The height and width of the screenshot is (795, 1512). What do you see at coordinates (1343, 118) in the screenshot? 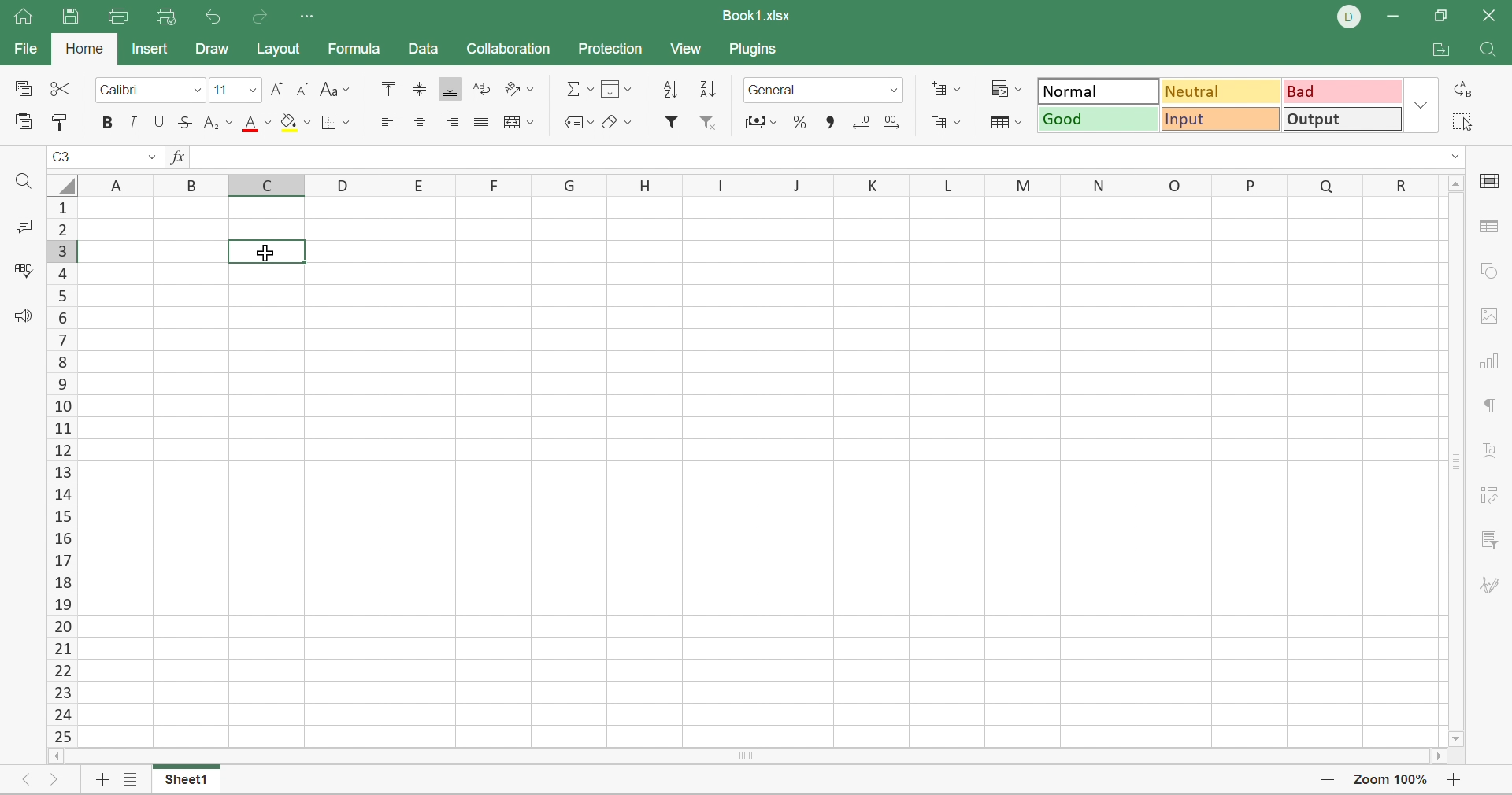
I see `Output` at bounding box center [1343, 118].